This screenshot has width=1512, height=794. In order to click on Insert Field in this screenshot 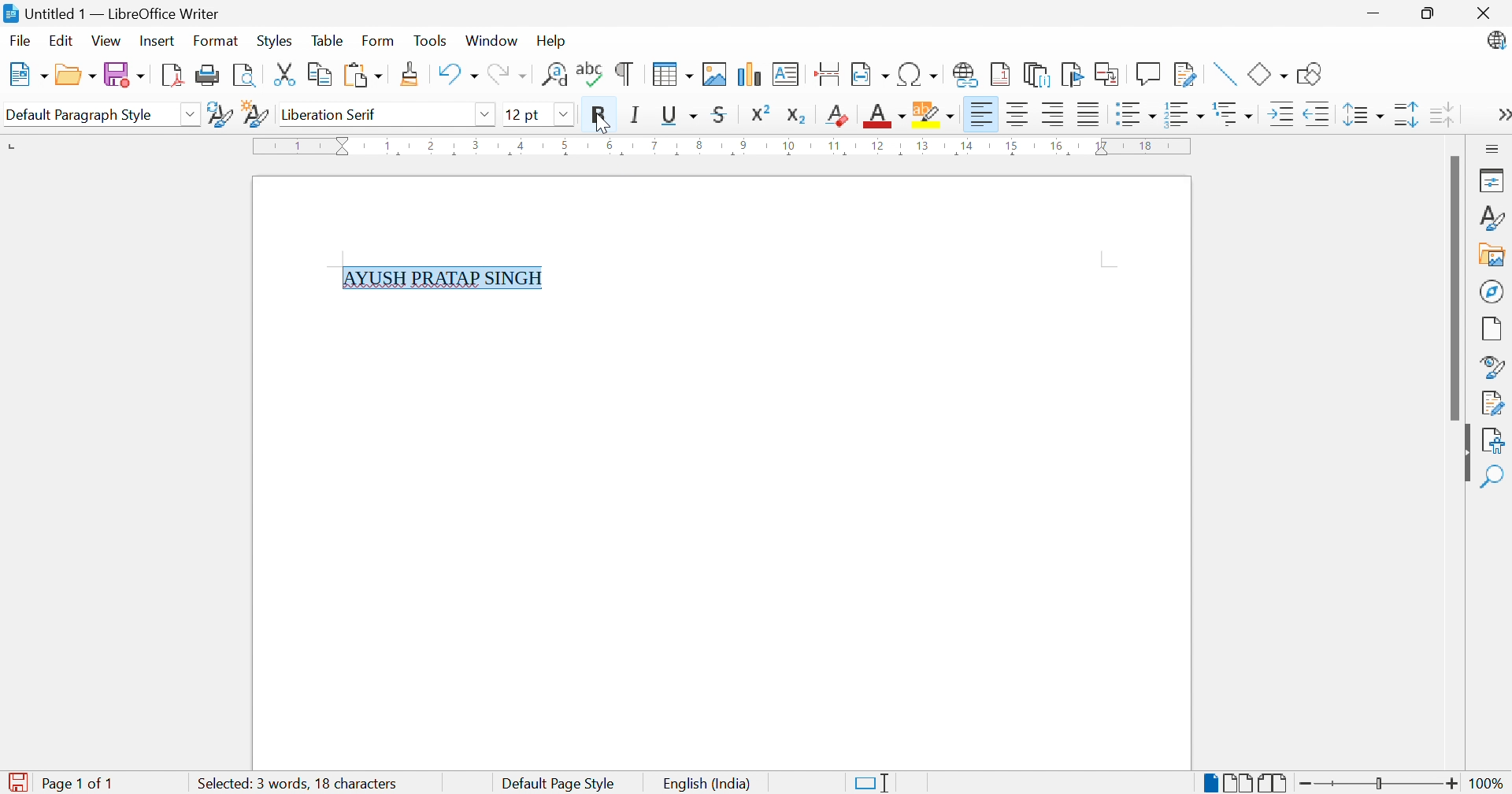, I will do `click(869, 74)`.